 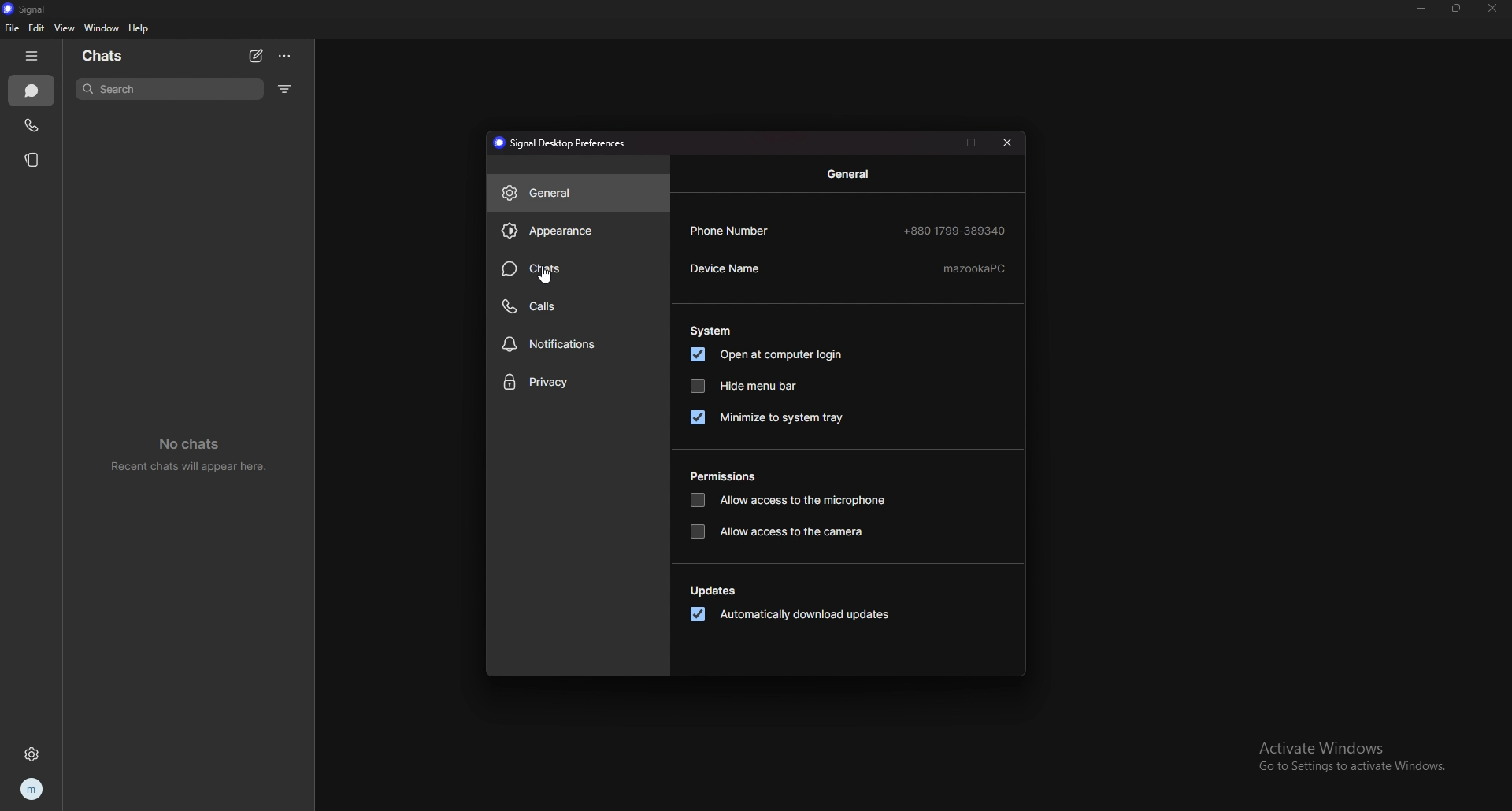 I want to click on +880 1799-389340, so click(x=955, y=230).